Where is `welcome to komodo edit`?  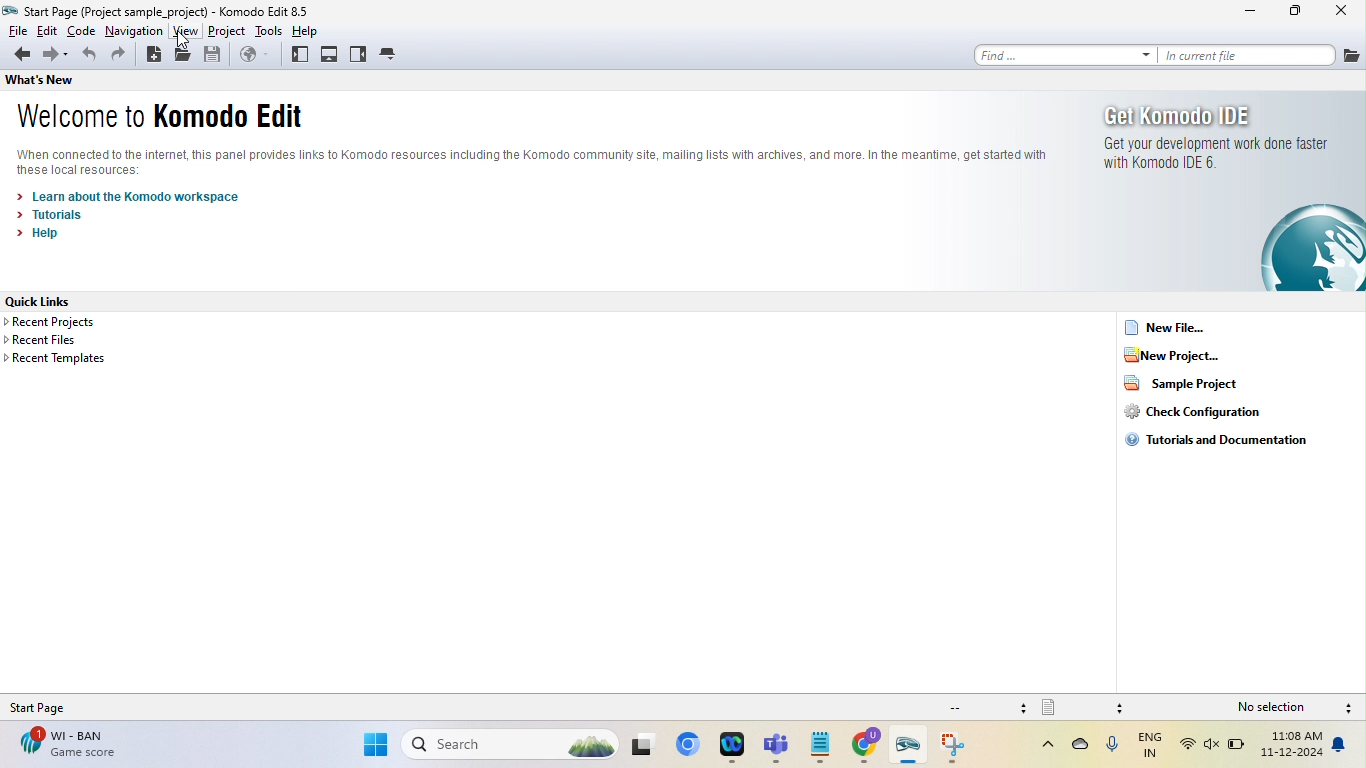 welcome to komodo edit is located at coordinates (170, 117).